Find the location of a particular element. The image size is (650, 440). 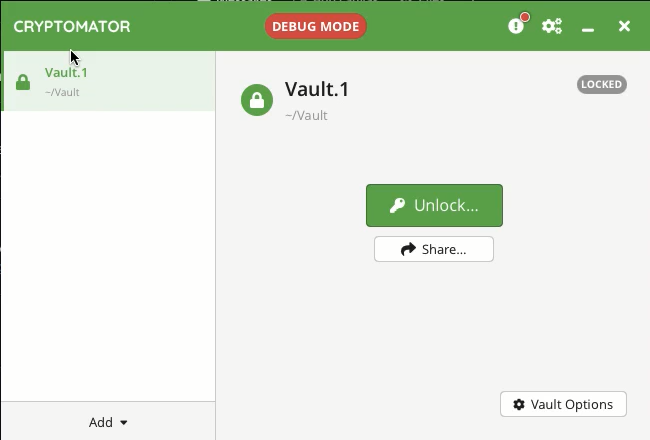

minimise is located at coordinates (592, 29).